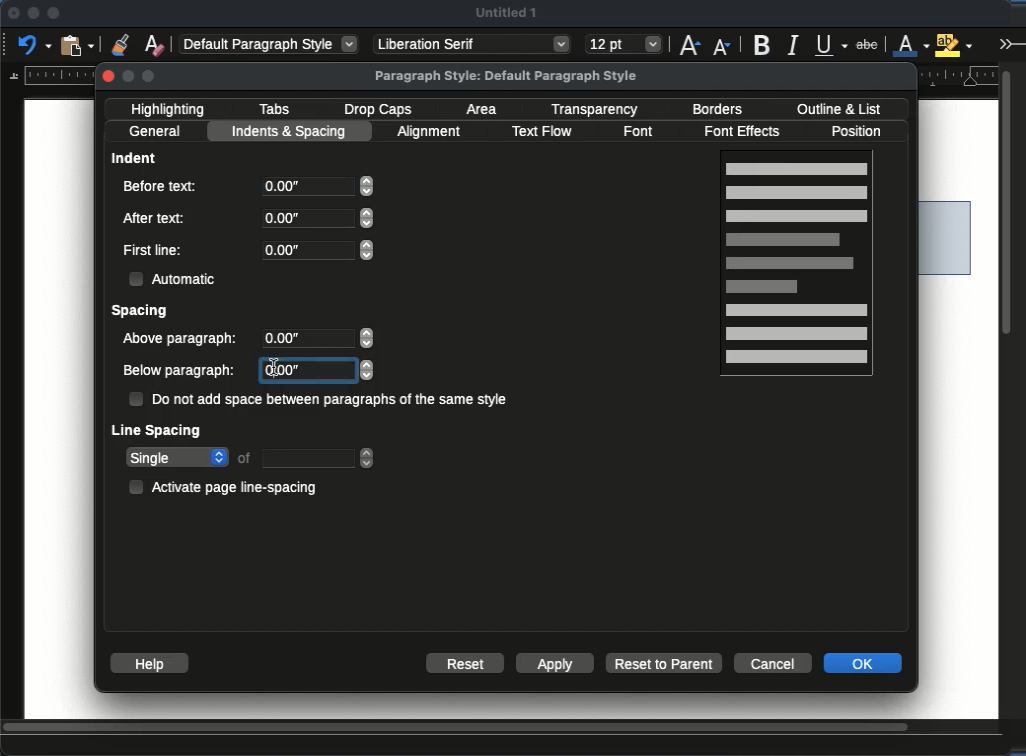 This screenshot has width=1026, height=756. I want to click on guide, so click(48, 75).